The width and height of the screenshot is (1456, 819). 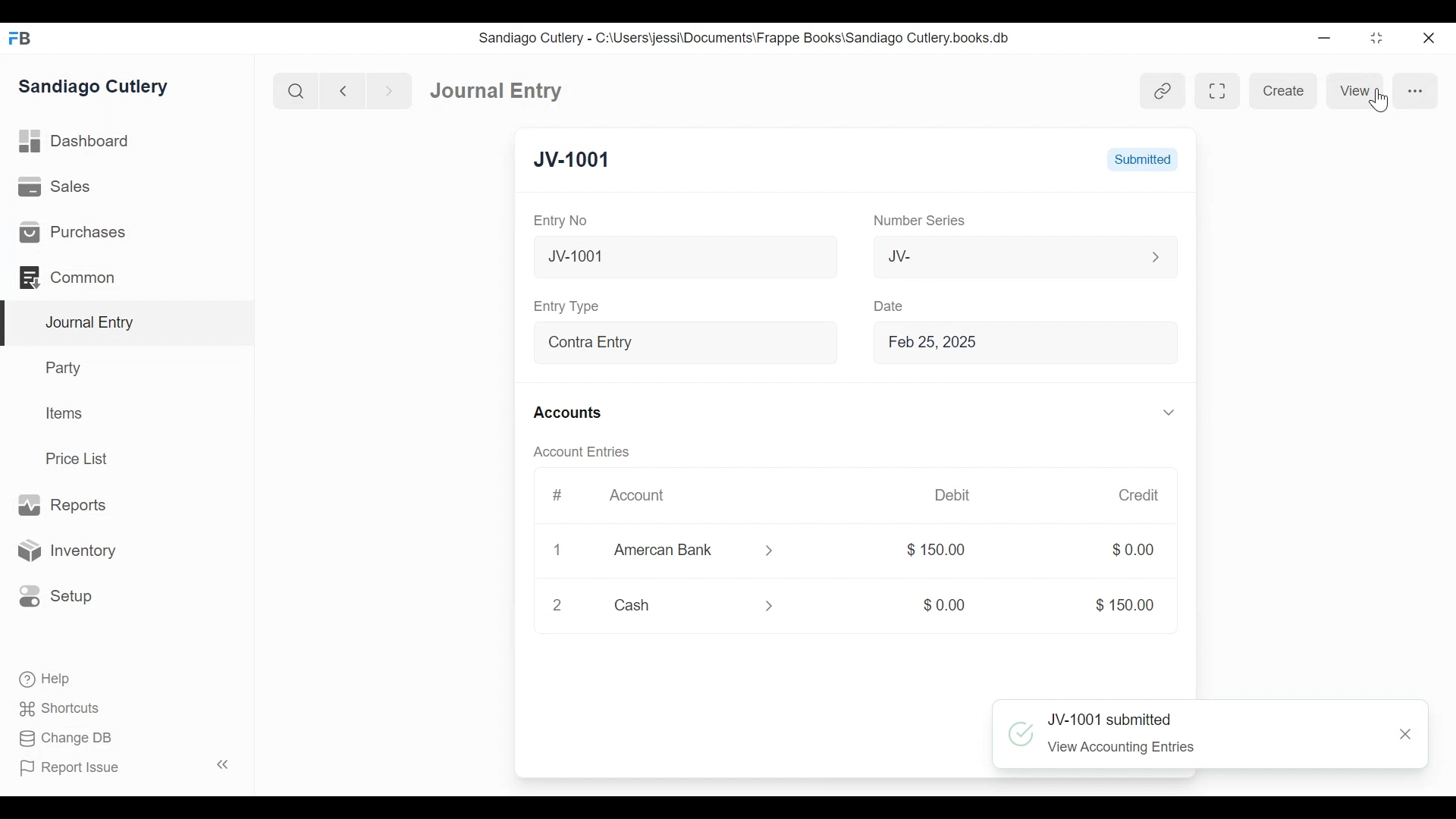 I want to click on Help, so click(x=43, y=678).